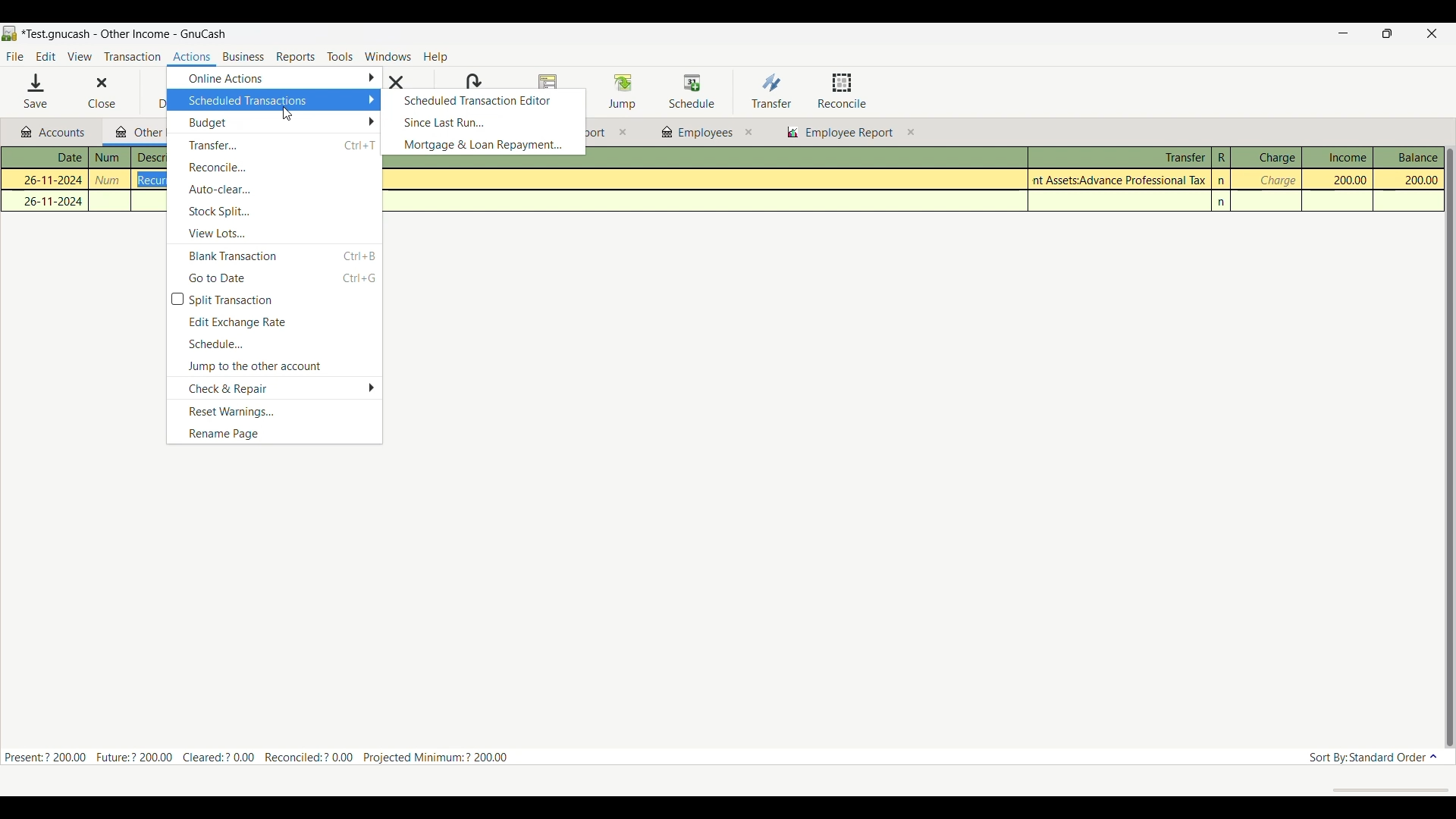  I want to click on Accounts, so click(56, 133).